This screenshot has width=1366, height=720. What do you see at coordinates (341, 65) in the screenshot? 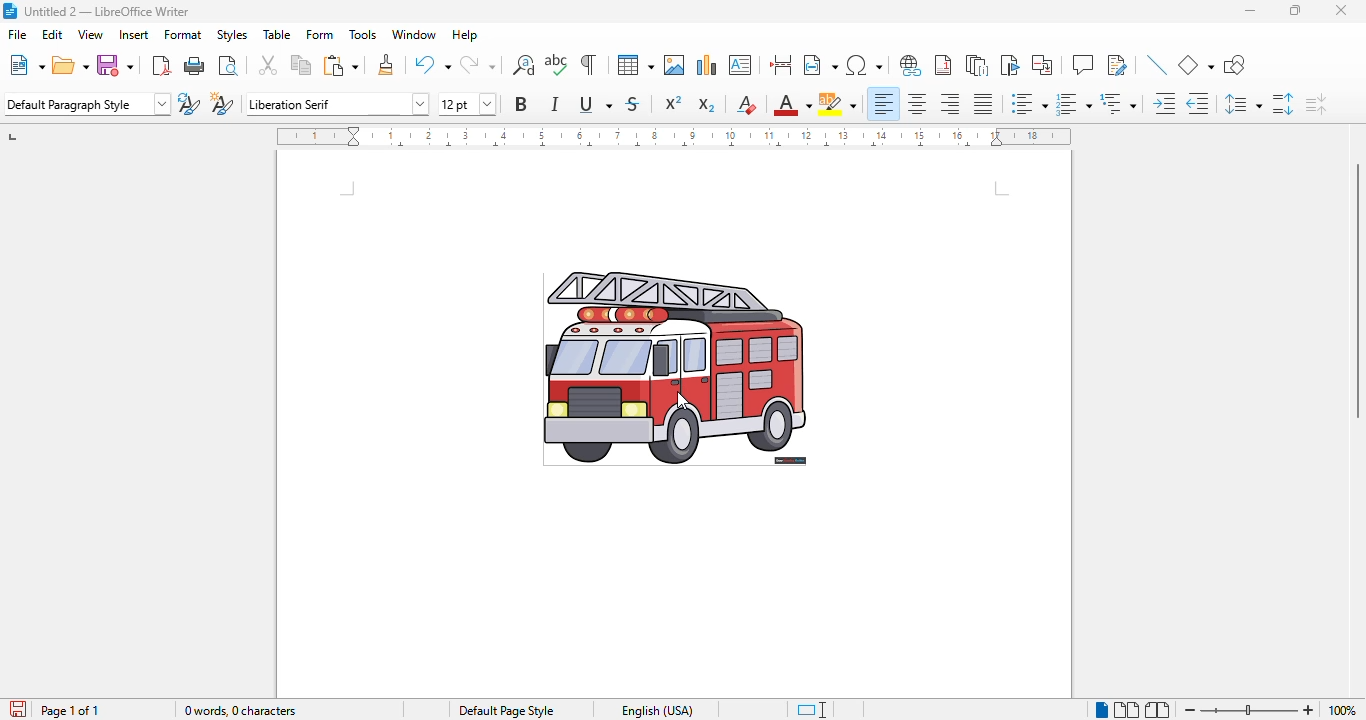
I see `paste` at bounding box center [341, 65].